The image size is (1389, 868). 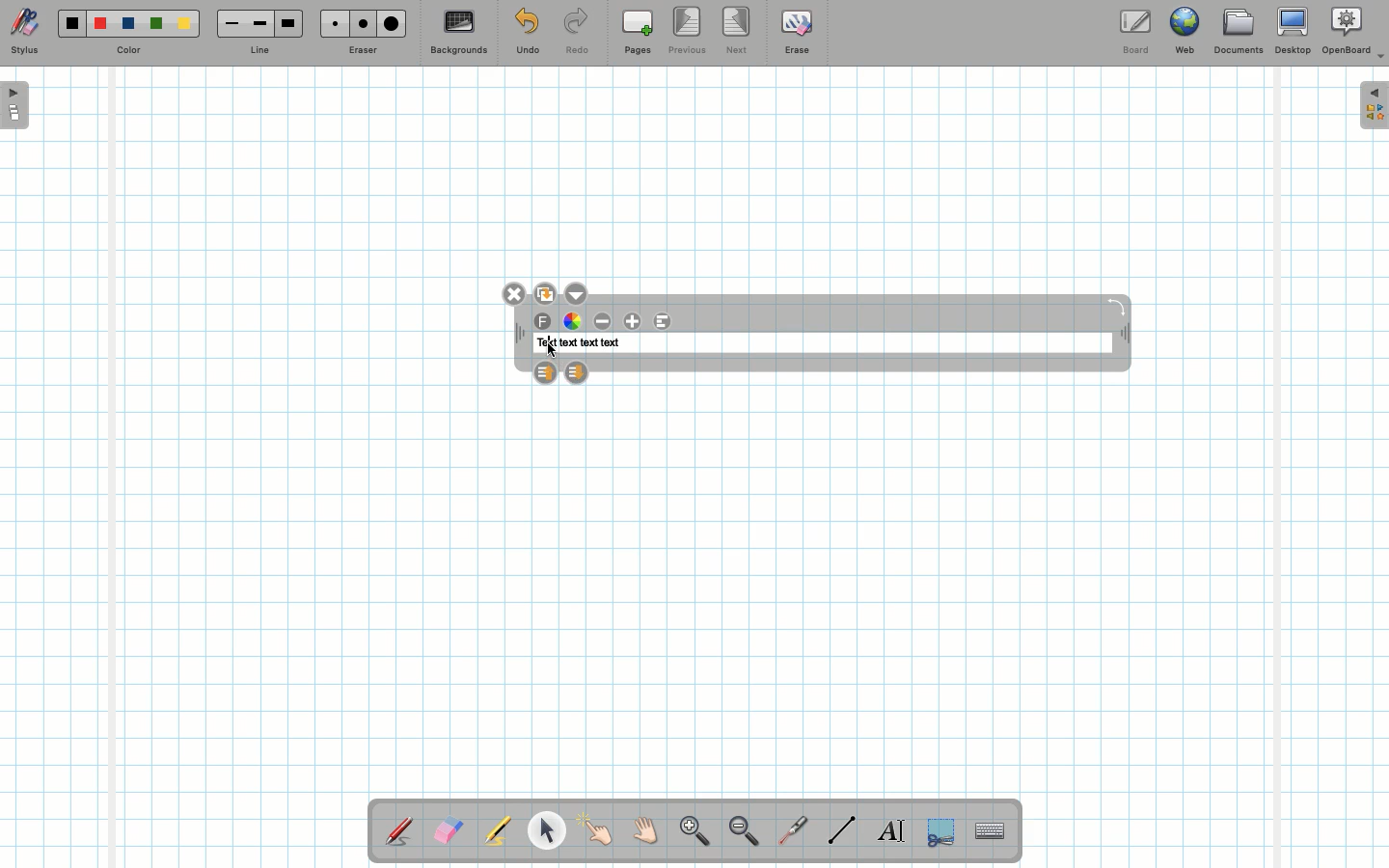 What do you see at coordinates (101, 24) in the screenshot?
I see `Red` at bounding box center [101, 24].